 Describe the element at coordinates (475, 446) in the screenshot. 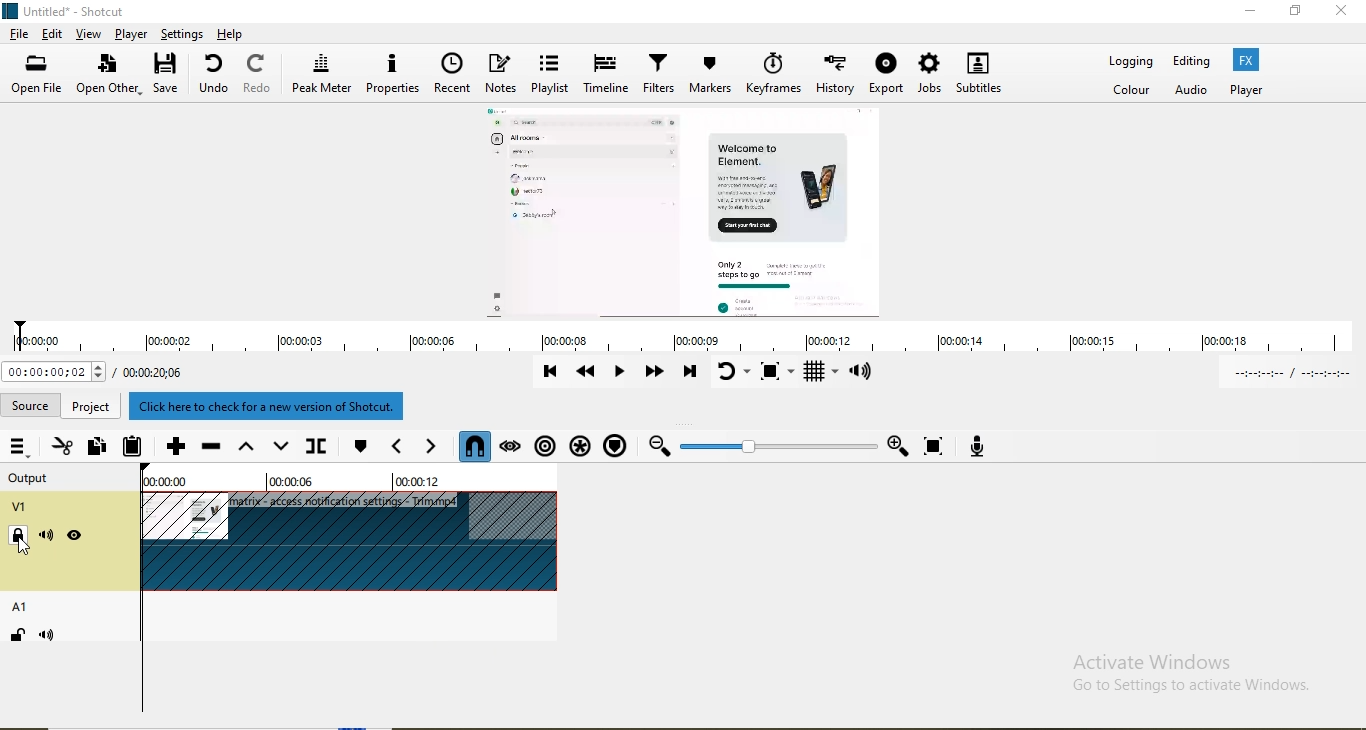

I see `Snap` at that location.